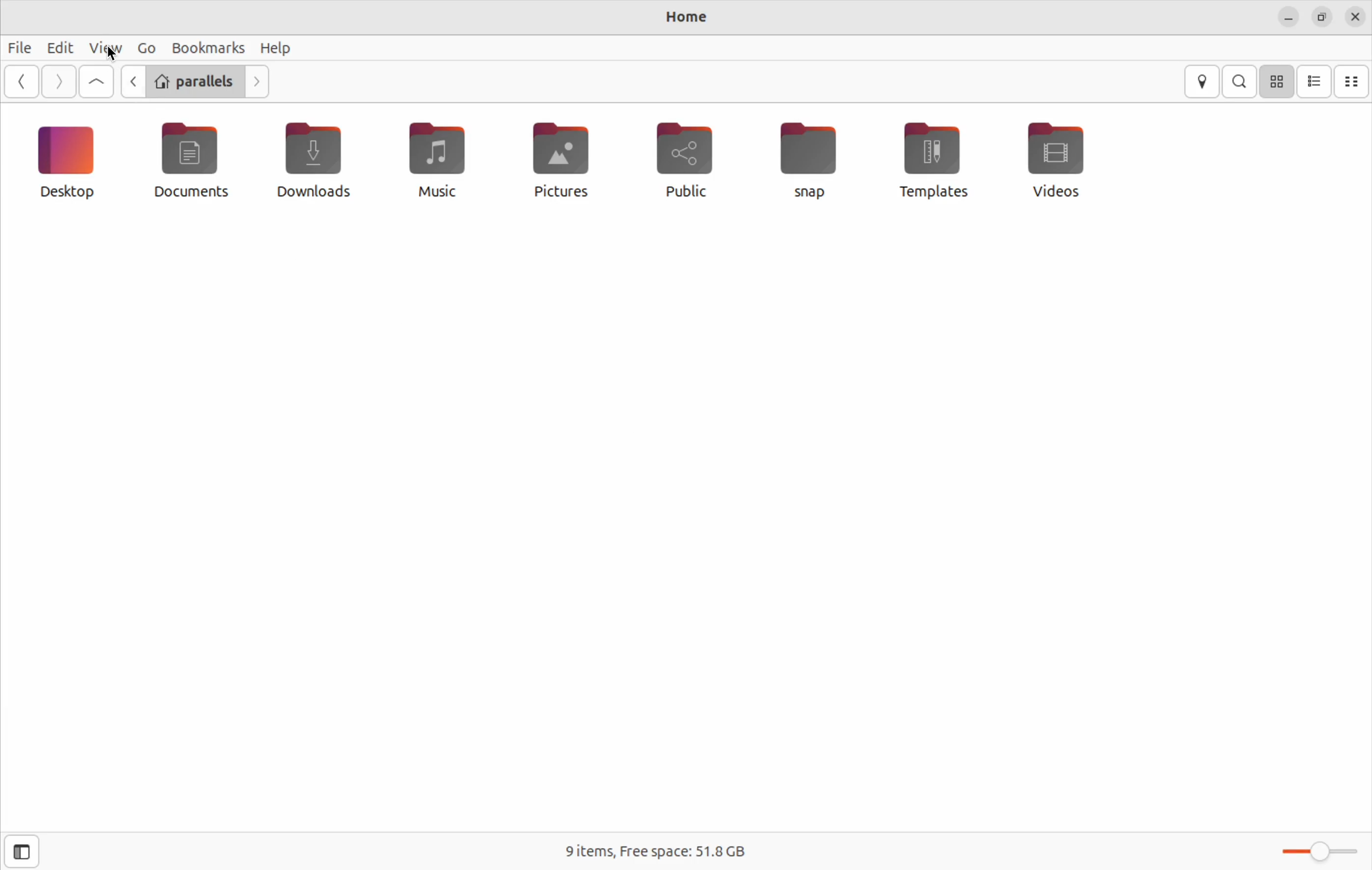 This screenshot has height=870, width=1372. I want to click on downloads, so click(311, 160).